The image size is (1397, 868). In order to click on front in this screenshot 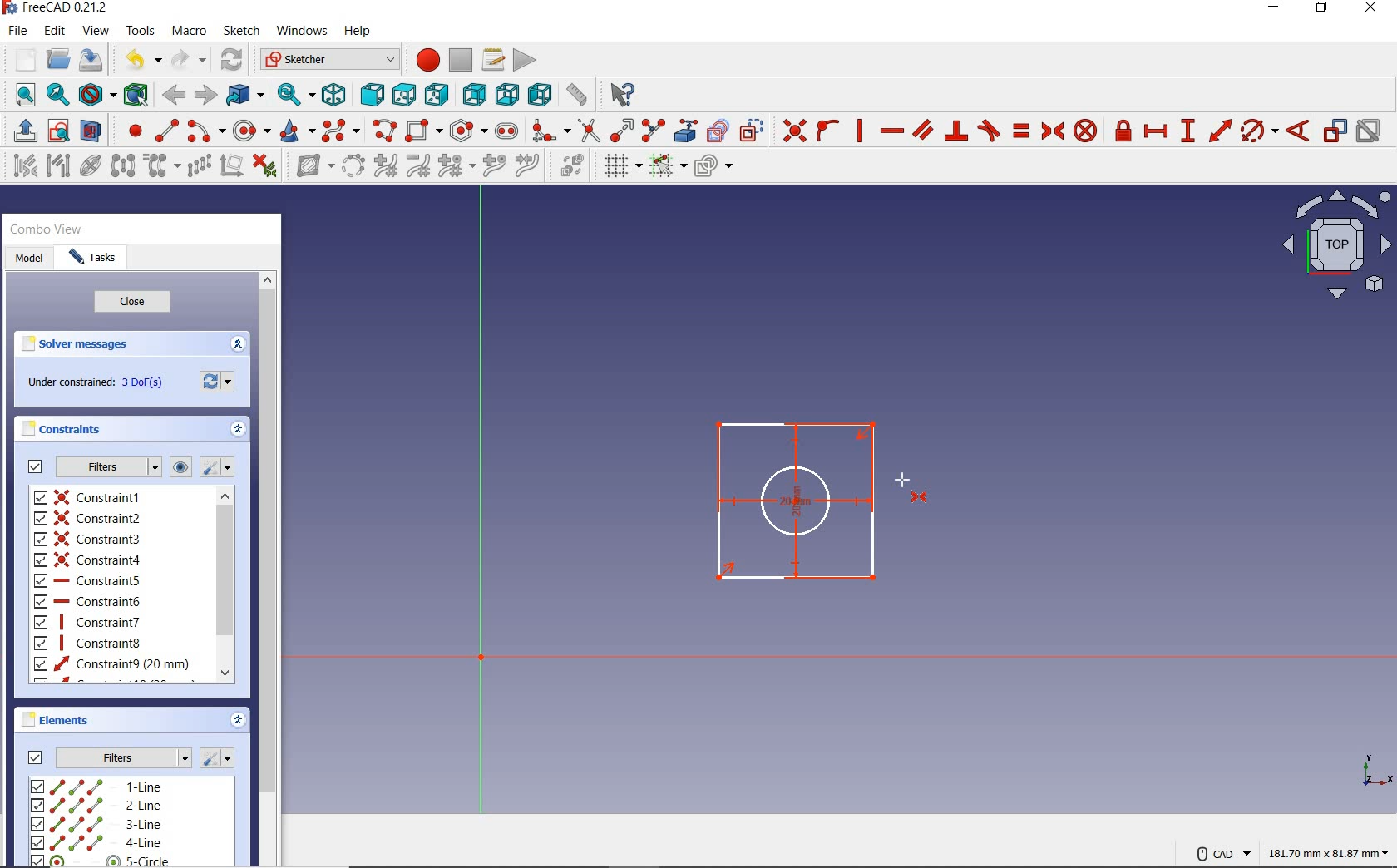, I will do `click(371, 94)`.